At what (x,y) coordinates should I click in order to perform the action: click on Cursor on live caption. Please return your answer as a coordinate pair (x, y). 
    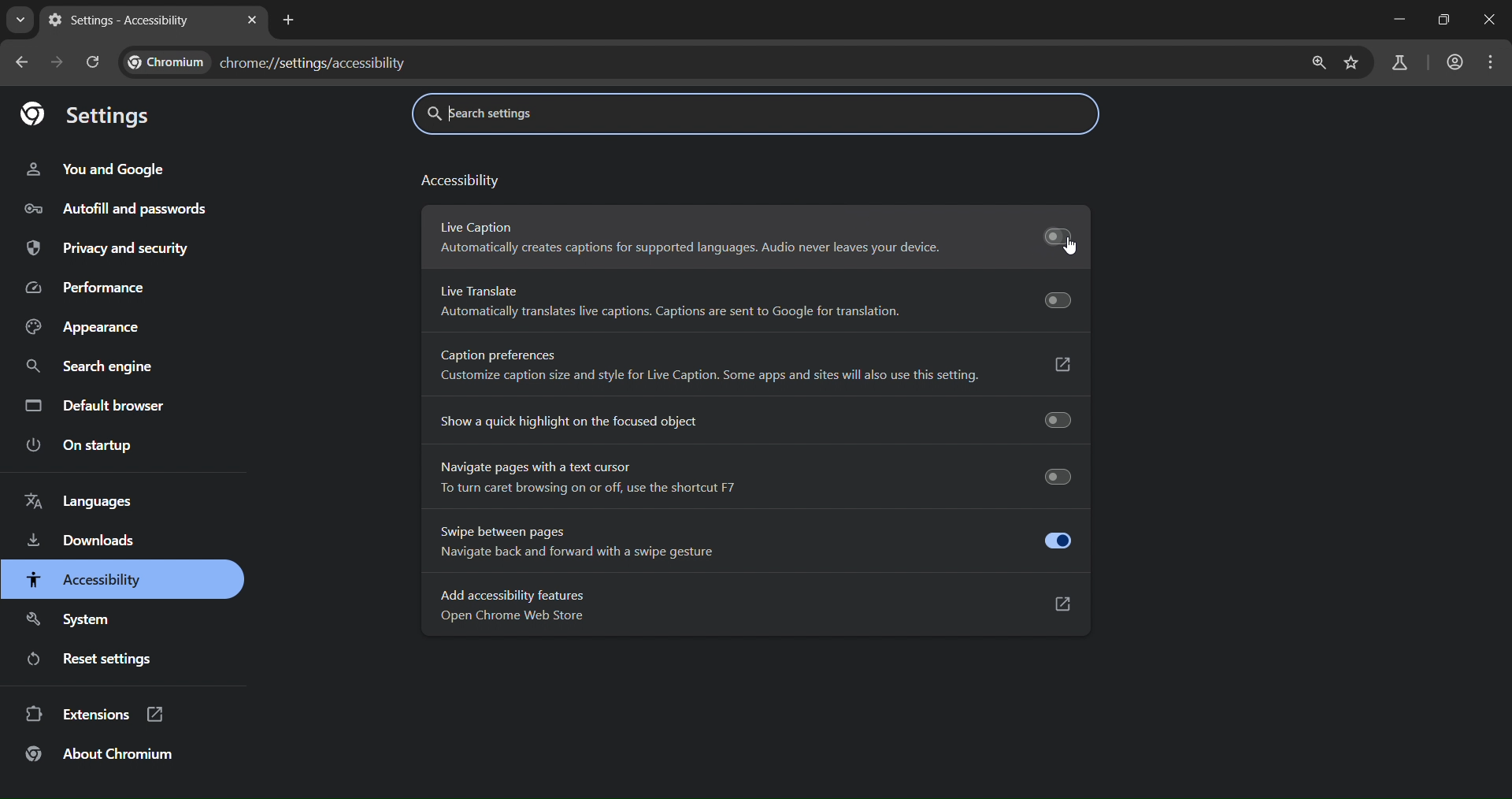
    Looking at the image, I should click on (1066, 248).